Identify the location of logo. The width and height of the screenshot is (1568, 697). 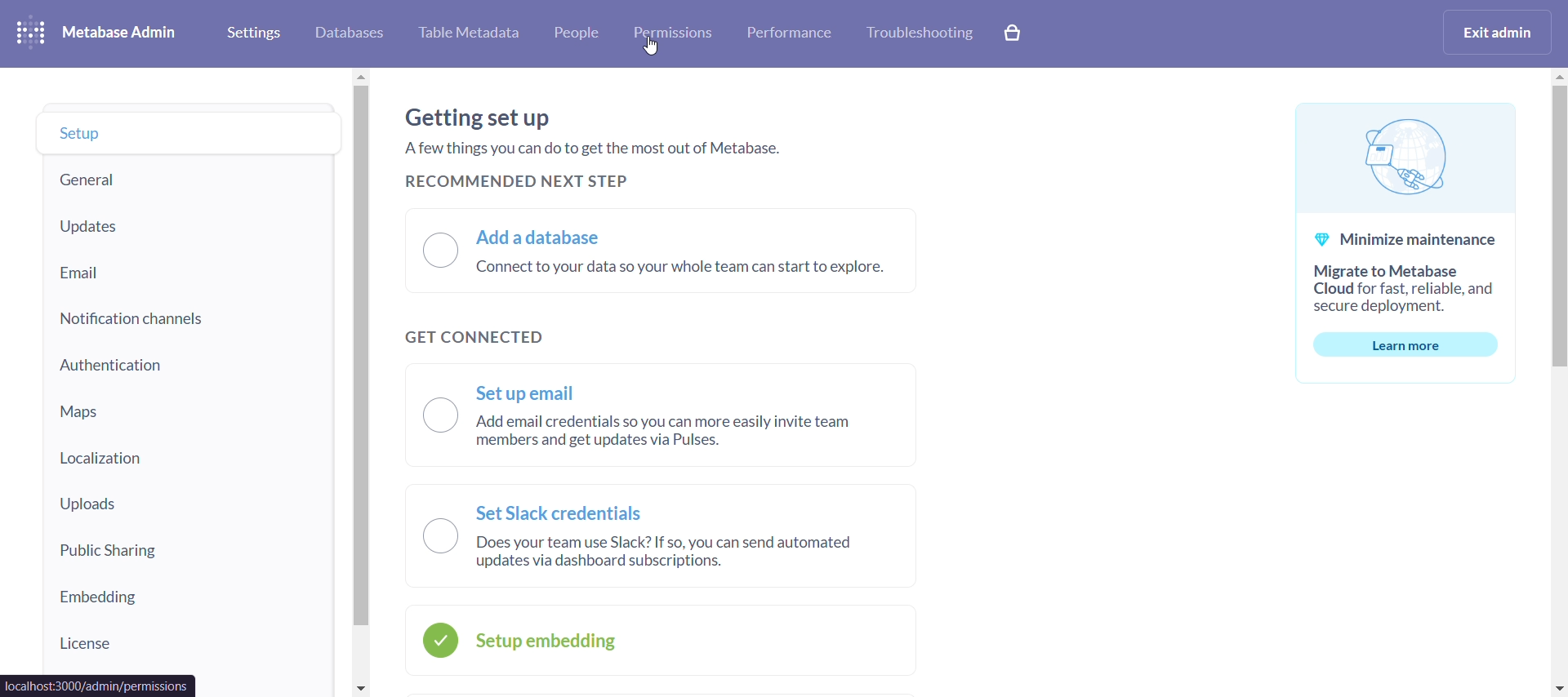
(32, 32).